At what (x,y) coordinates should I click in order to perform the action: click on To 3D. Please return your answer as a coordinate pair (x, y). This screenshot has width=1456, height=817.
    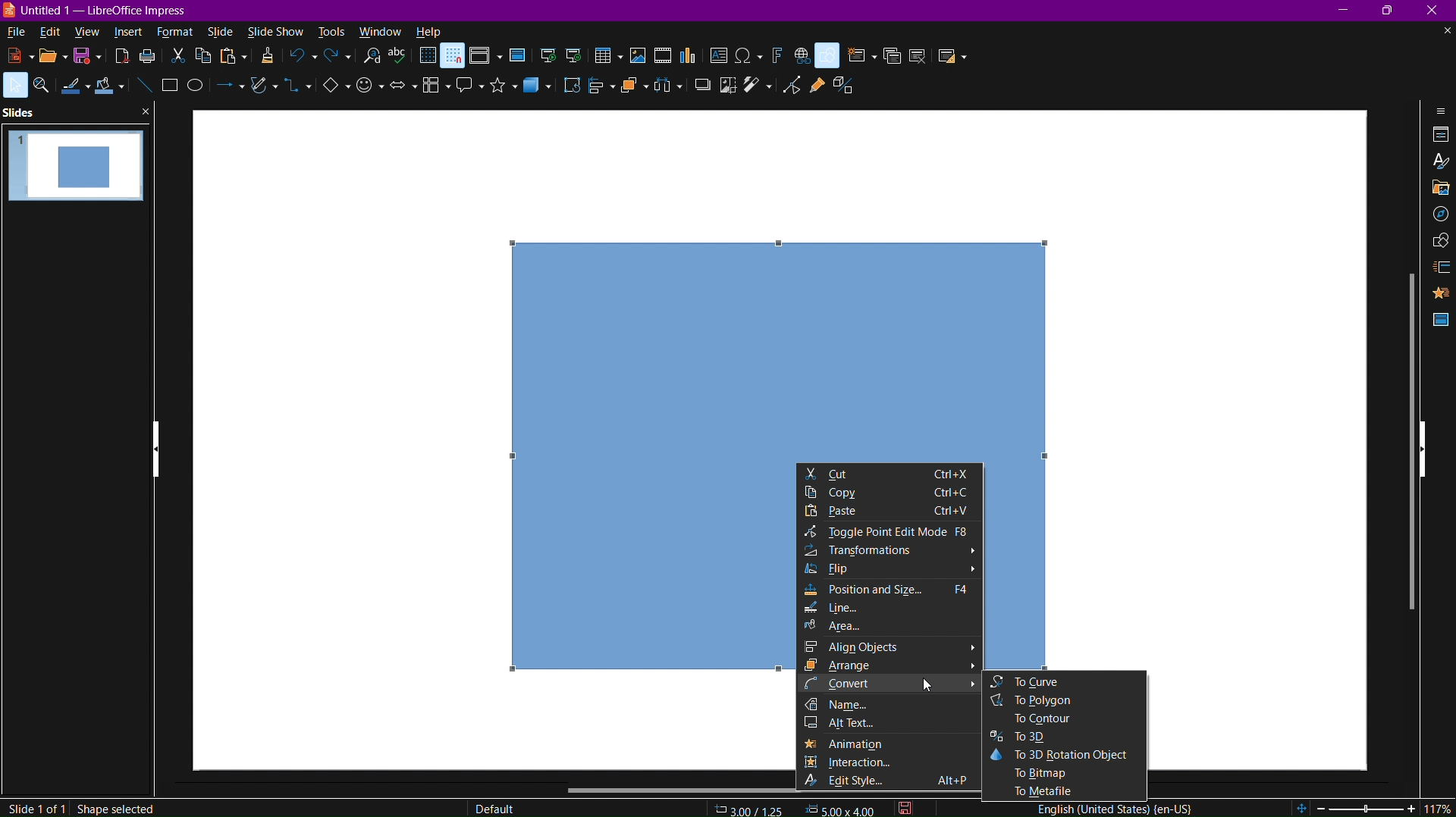
    Looking at the image, I should click on (1068, 739).